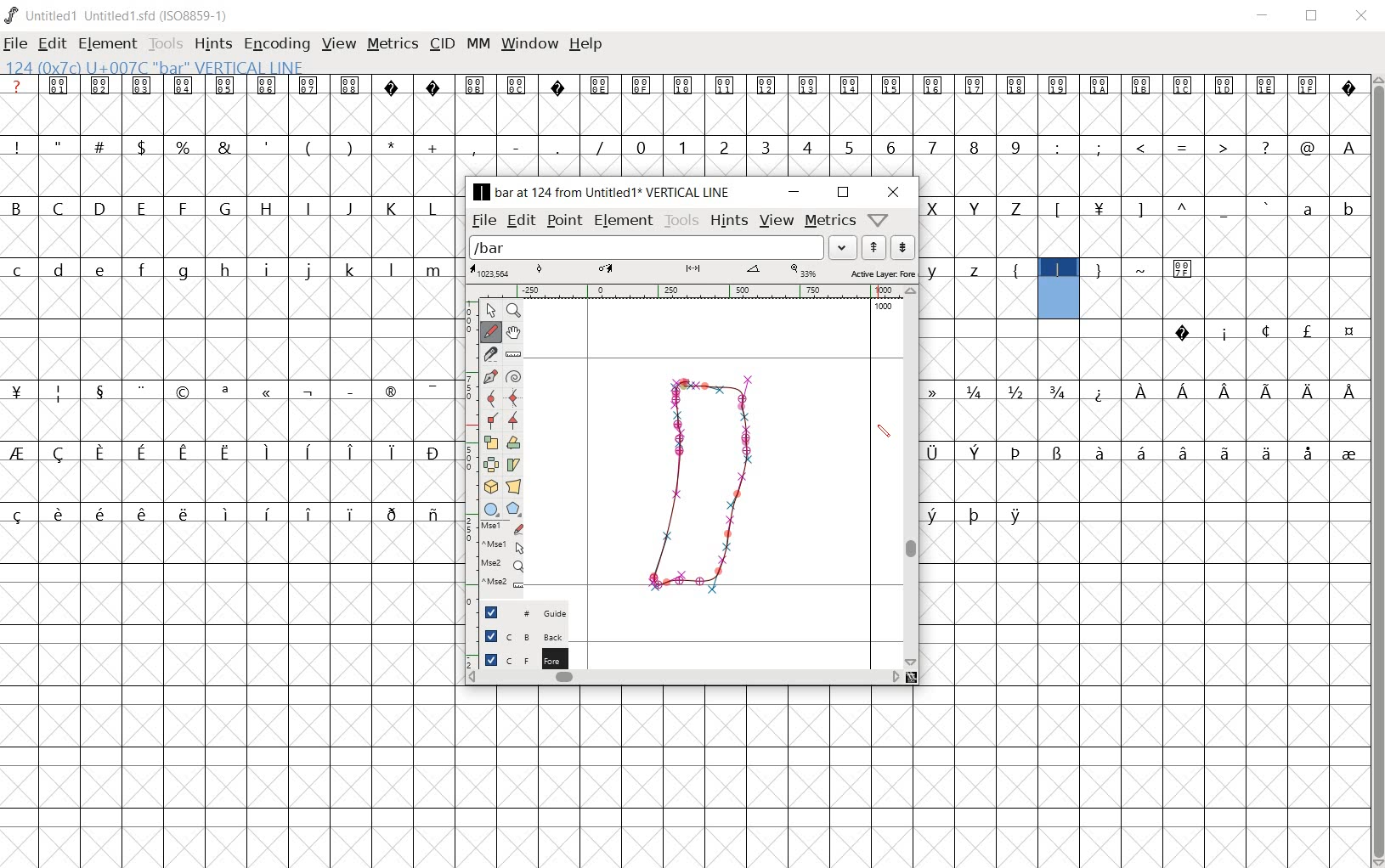 Image resolution: width=1385 pixels, height=868 pixels. Describe the element at coordinates (680, 220) in the screenshot. I see `tools` at that location.